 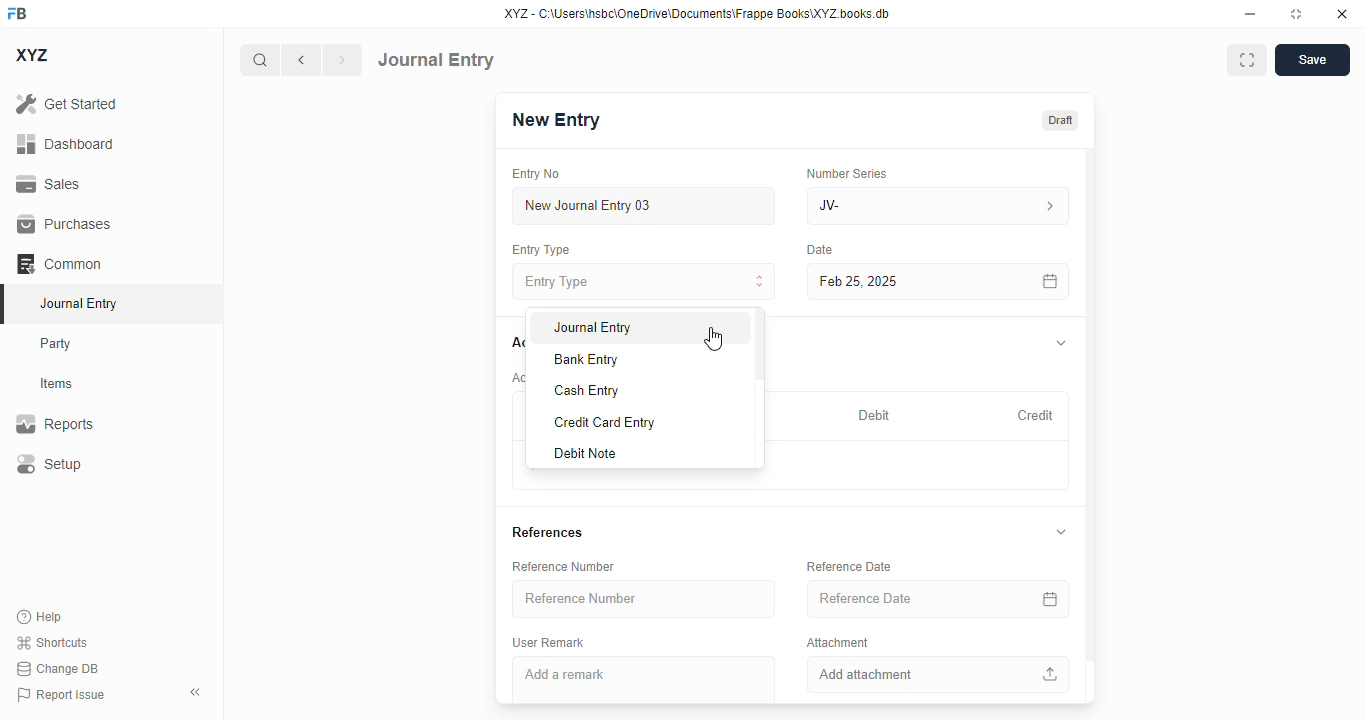 I want to click on previous, so click(x=301, y=60).